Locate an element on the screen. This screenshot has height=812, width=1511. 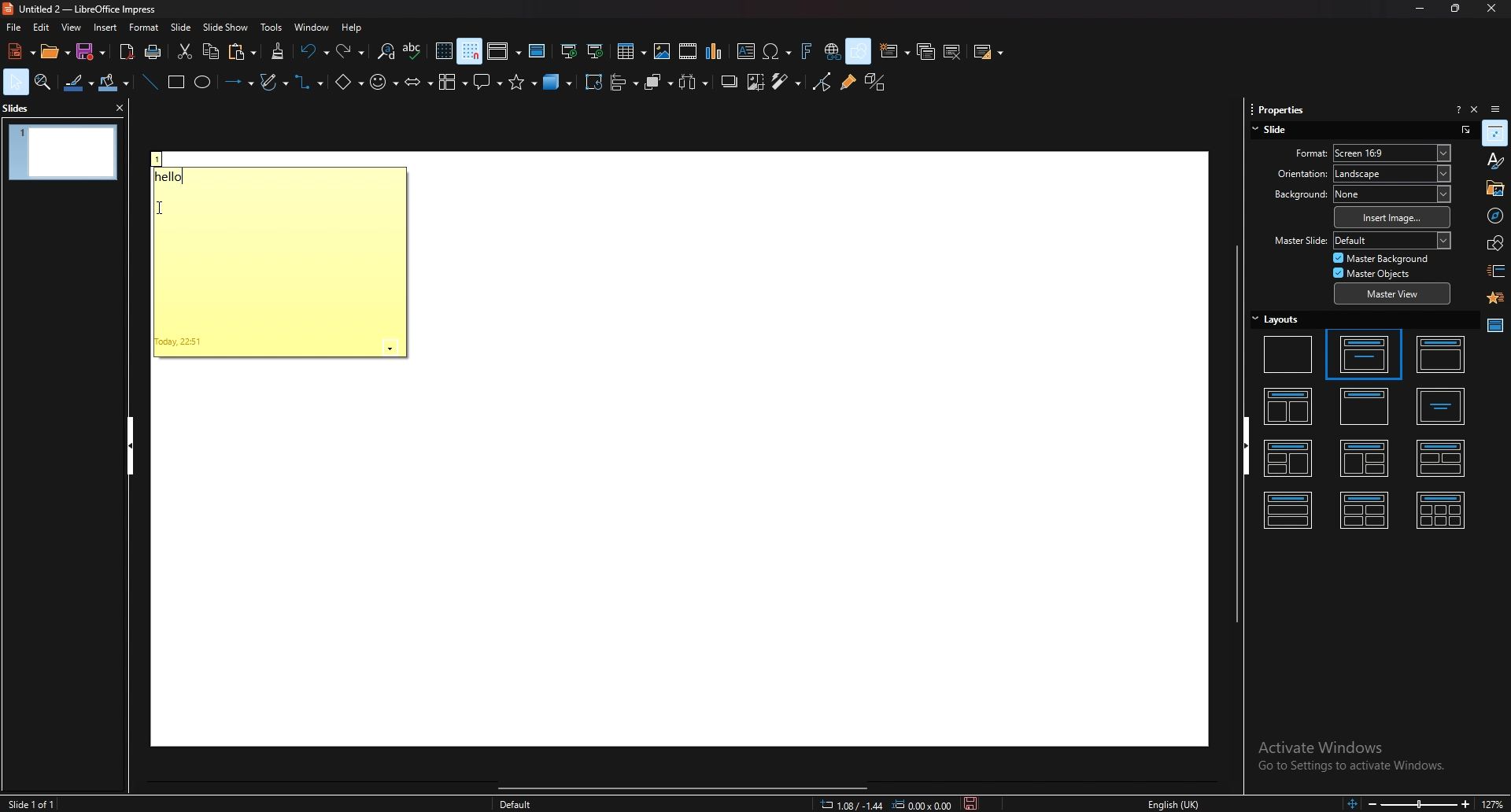
save is located at coordinates (94, 51).